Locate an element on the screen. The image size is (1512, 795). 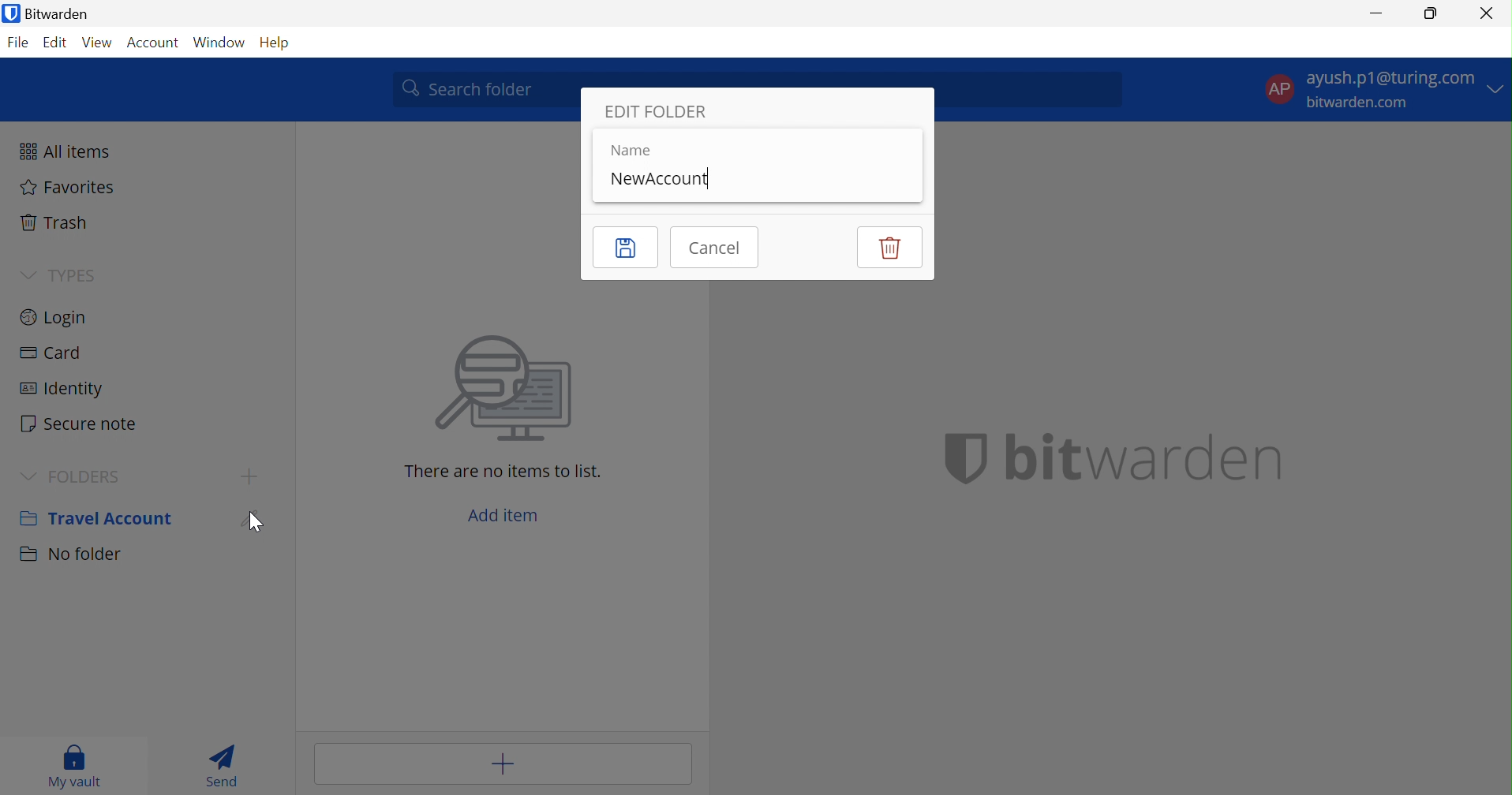
Travel Account is located at coordinates (99, 517).